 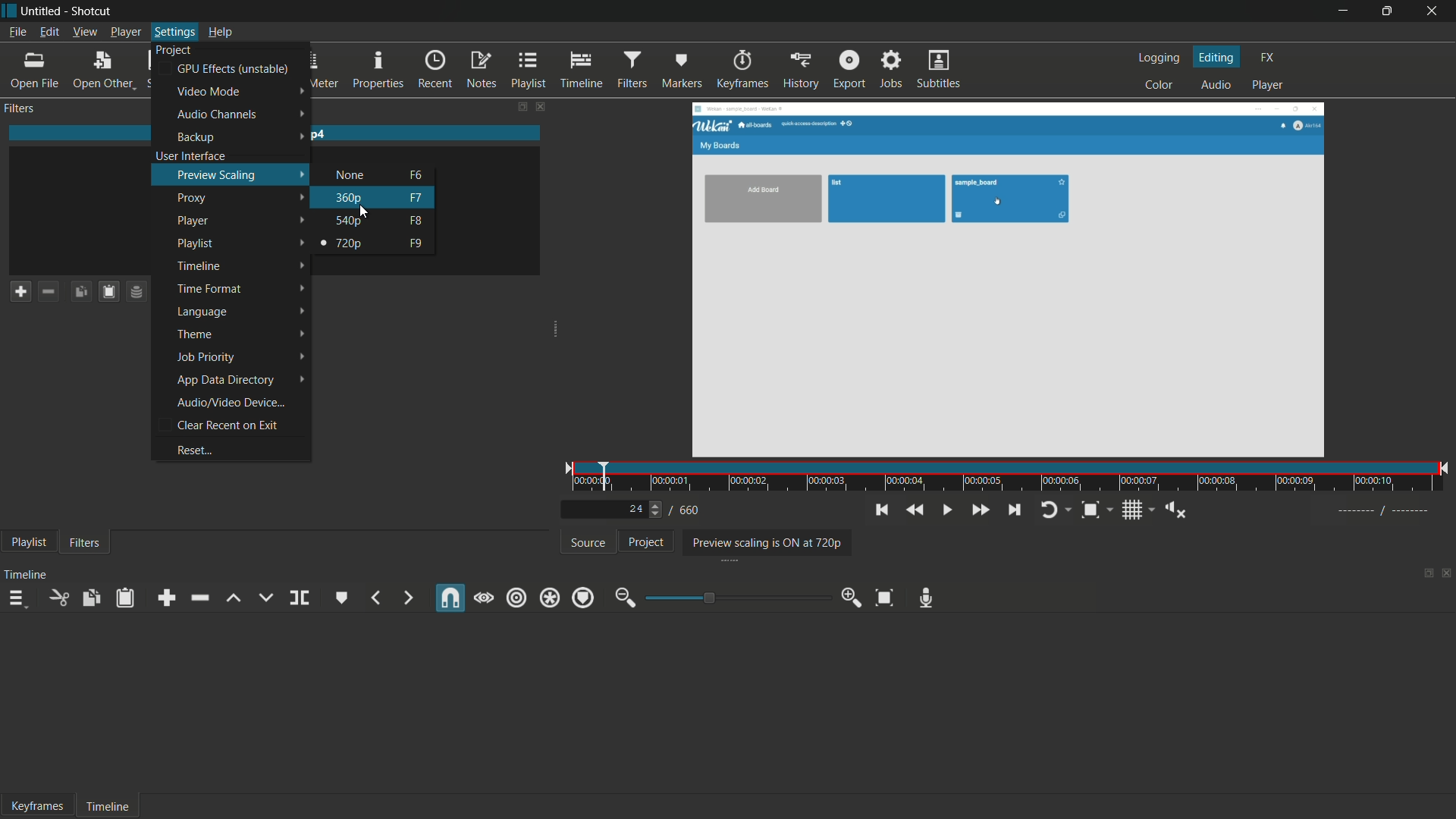 I want to click on app name, so click(x=94, y=11).